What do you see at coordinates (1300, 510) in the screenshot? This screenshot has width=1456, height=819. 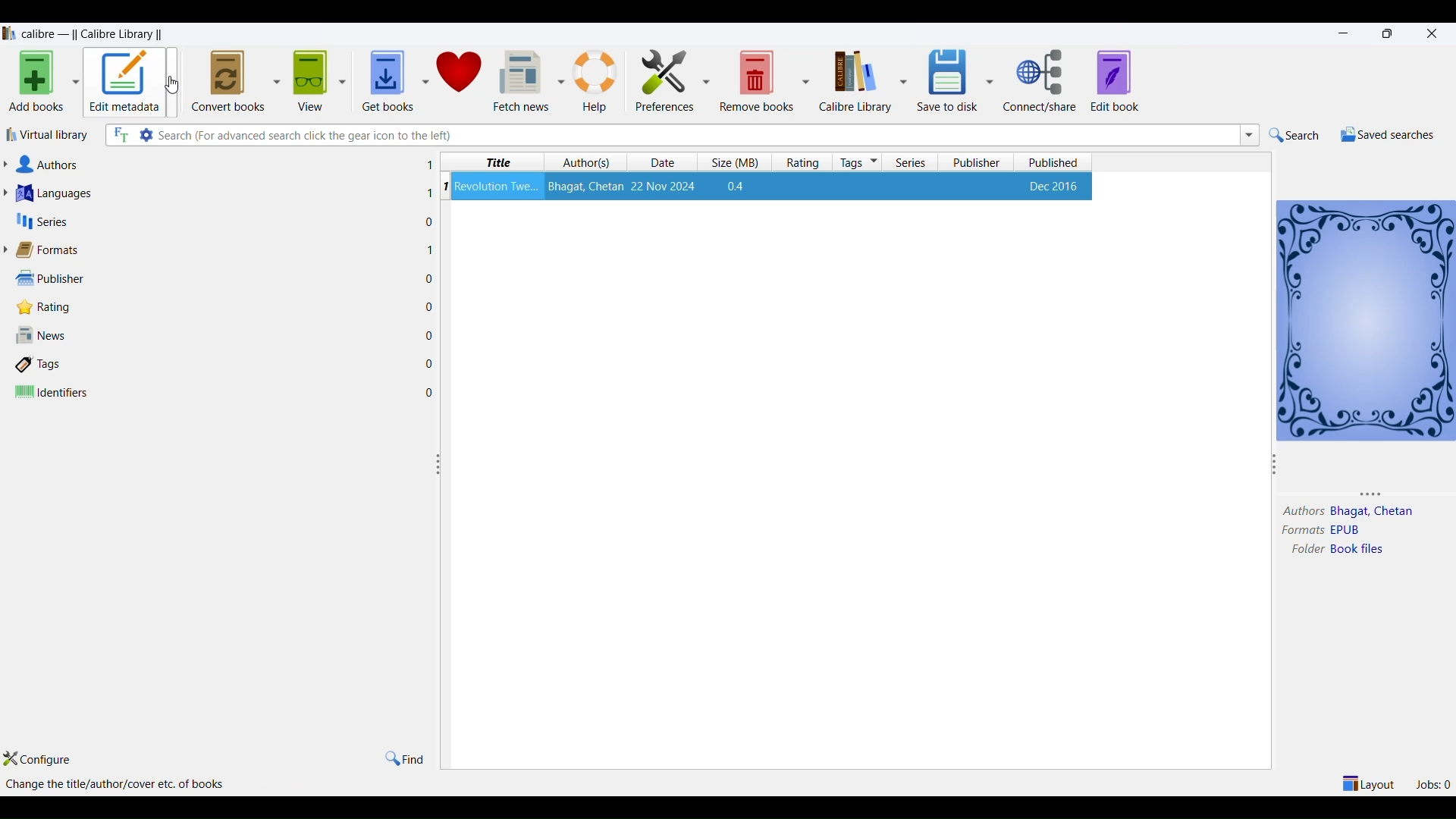 I see `author` at bounding box center [1300, 510].